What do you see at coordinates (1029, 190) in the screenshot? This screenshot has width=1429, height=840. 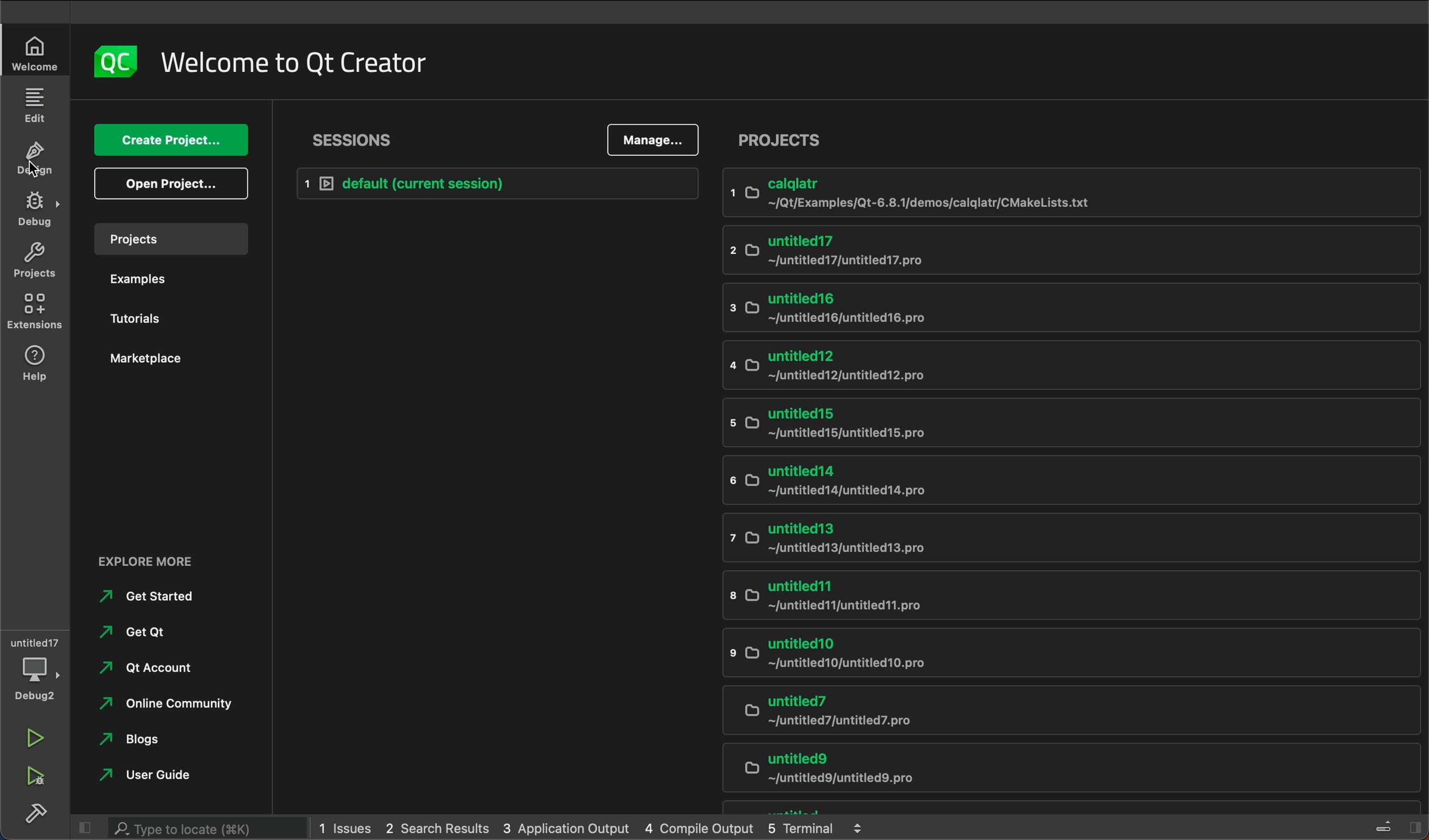 I see `calqlatr` at bounding box center [1029, 190].